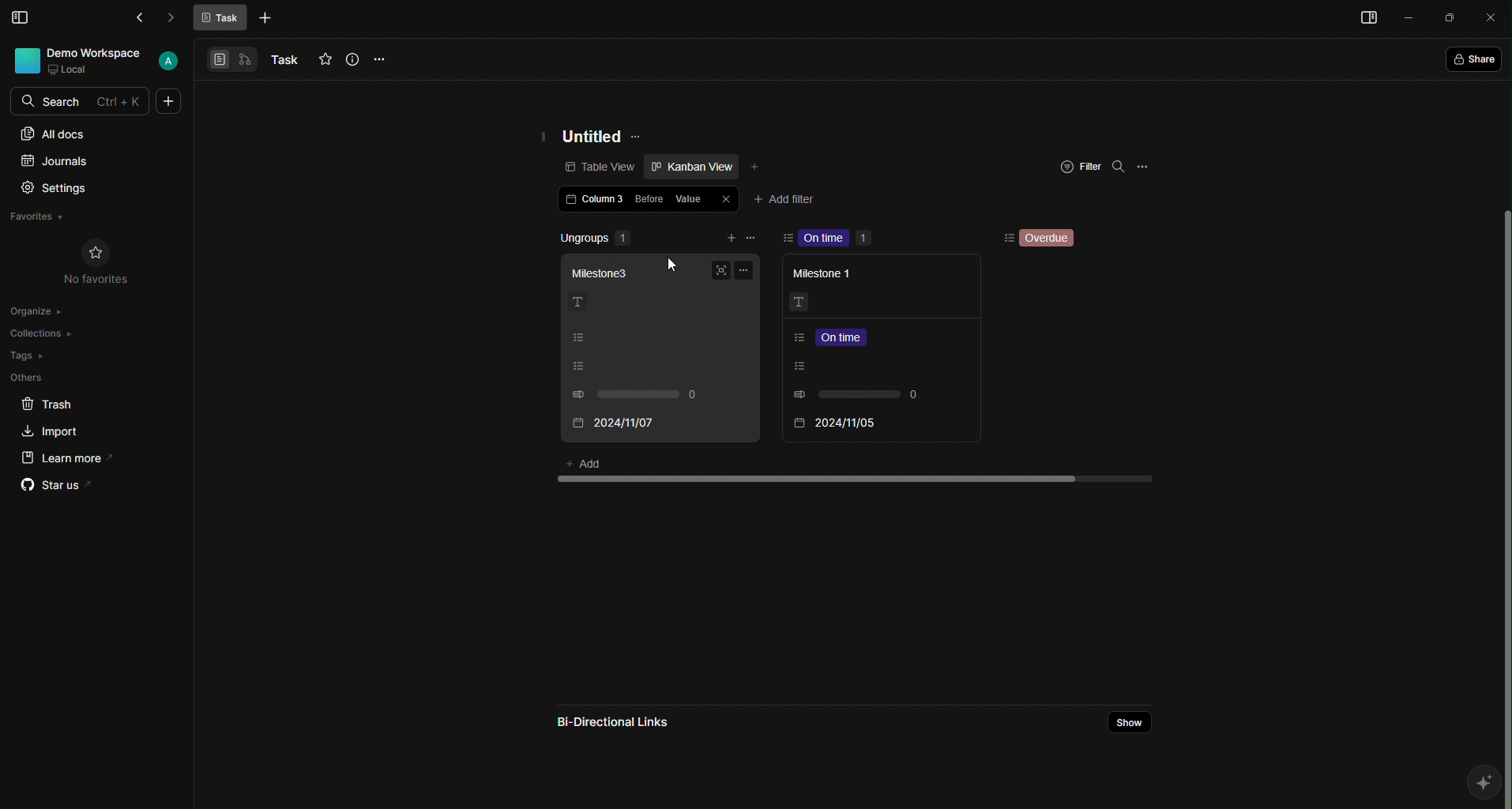 The image size is (1512, 809). What do you see at coordinates (27, 379) in the screenshot?
I see `Others` at bounding box center [27, 379].